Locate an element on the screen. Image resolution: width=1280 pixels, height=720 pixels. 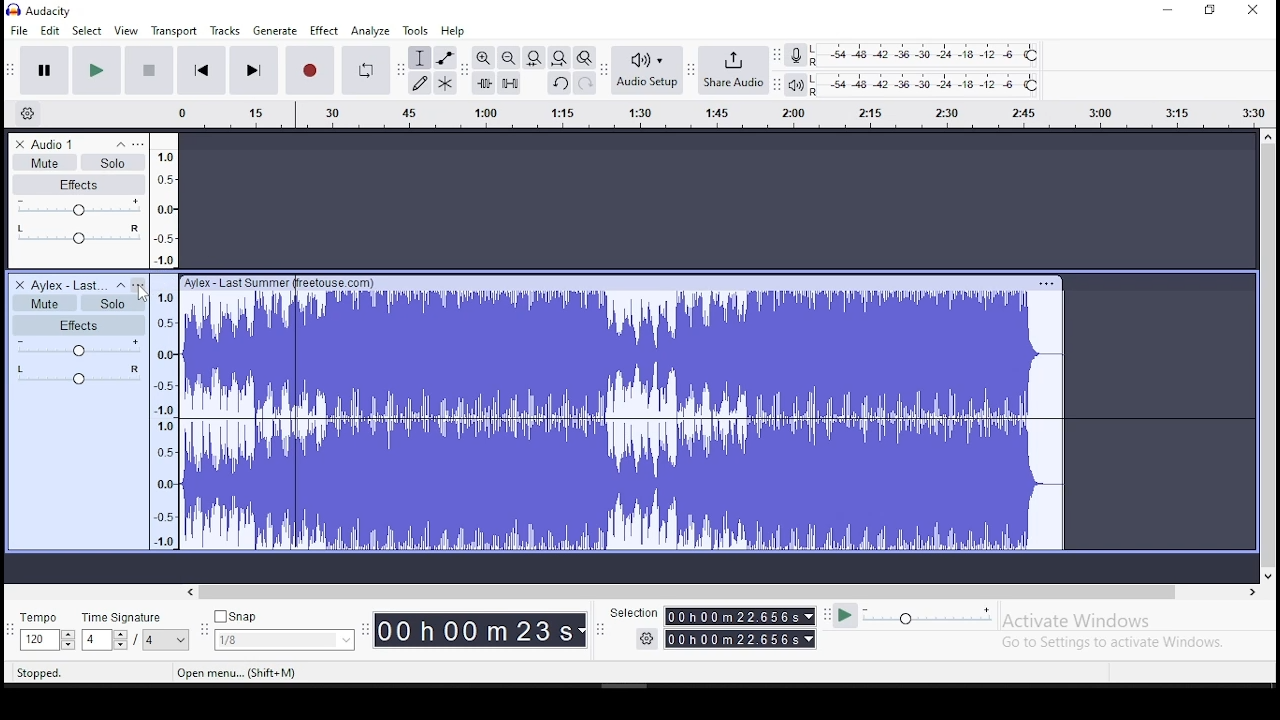
share audio is located at coordinates (733, 70).